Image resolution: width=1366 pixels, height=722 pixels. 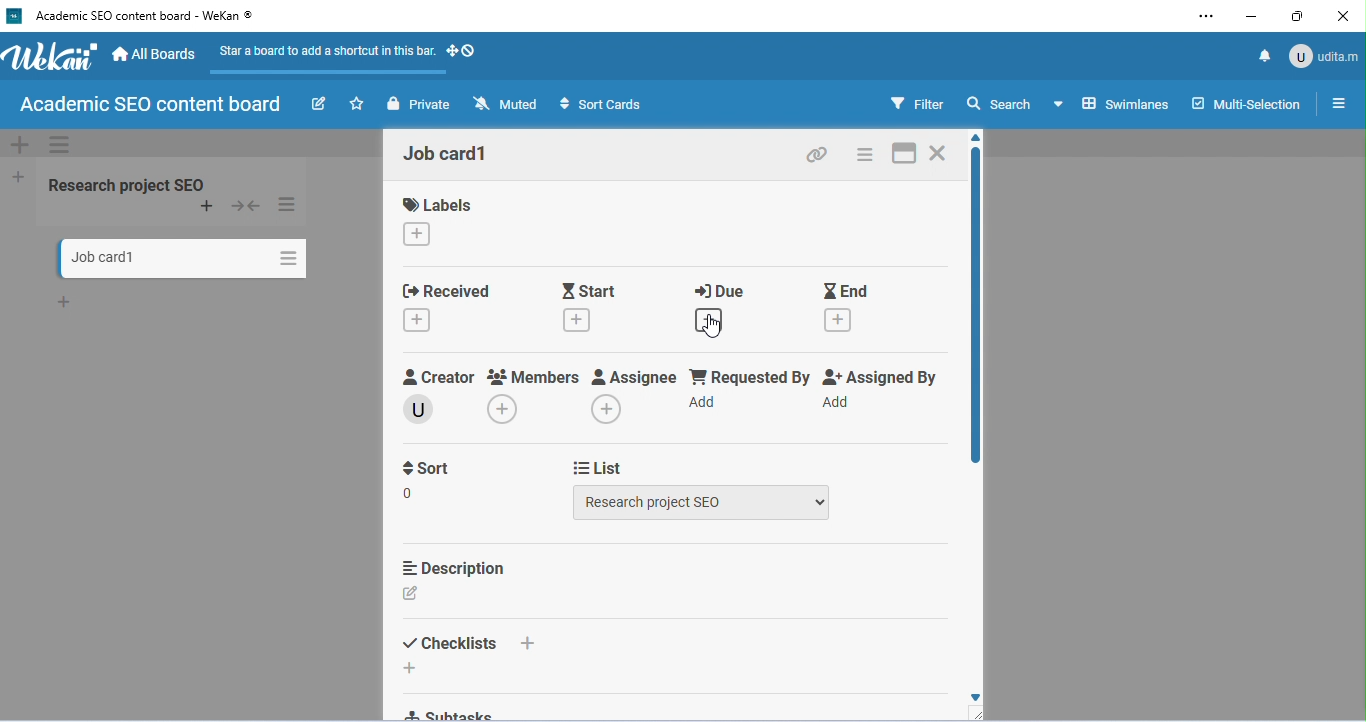 I want to click on copy card link, so click(x=814, y=153).